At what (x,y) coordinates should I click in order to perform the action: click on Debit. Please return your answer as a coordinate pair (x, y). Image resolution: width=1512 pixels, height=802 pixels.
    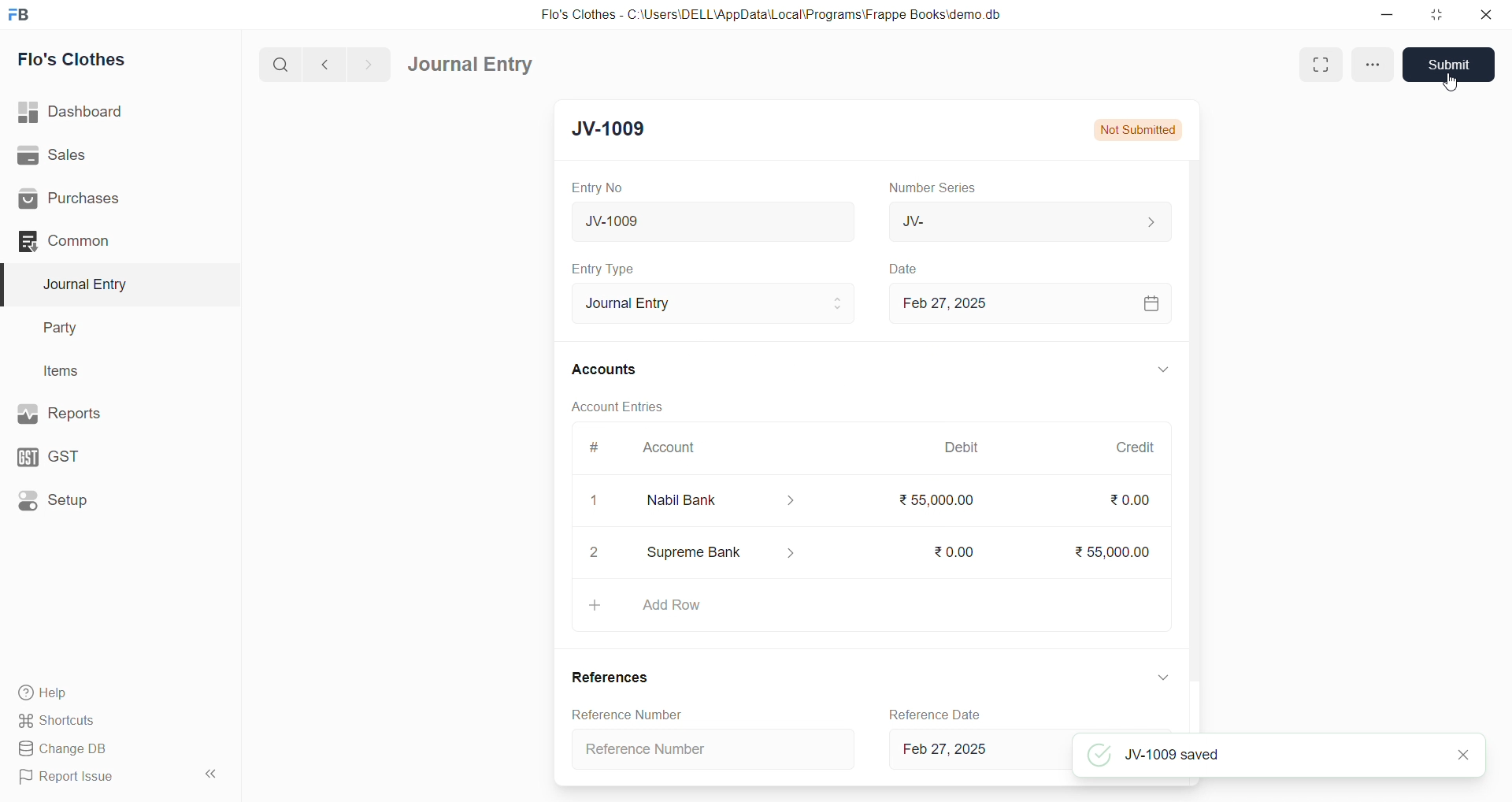
    Looking at the image, I should click on (965, 446).